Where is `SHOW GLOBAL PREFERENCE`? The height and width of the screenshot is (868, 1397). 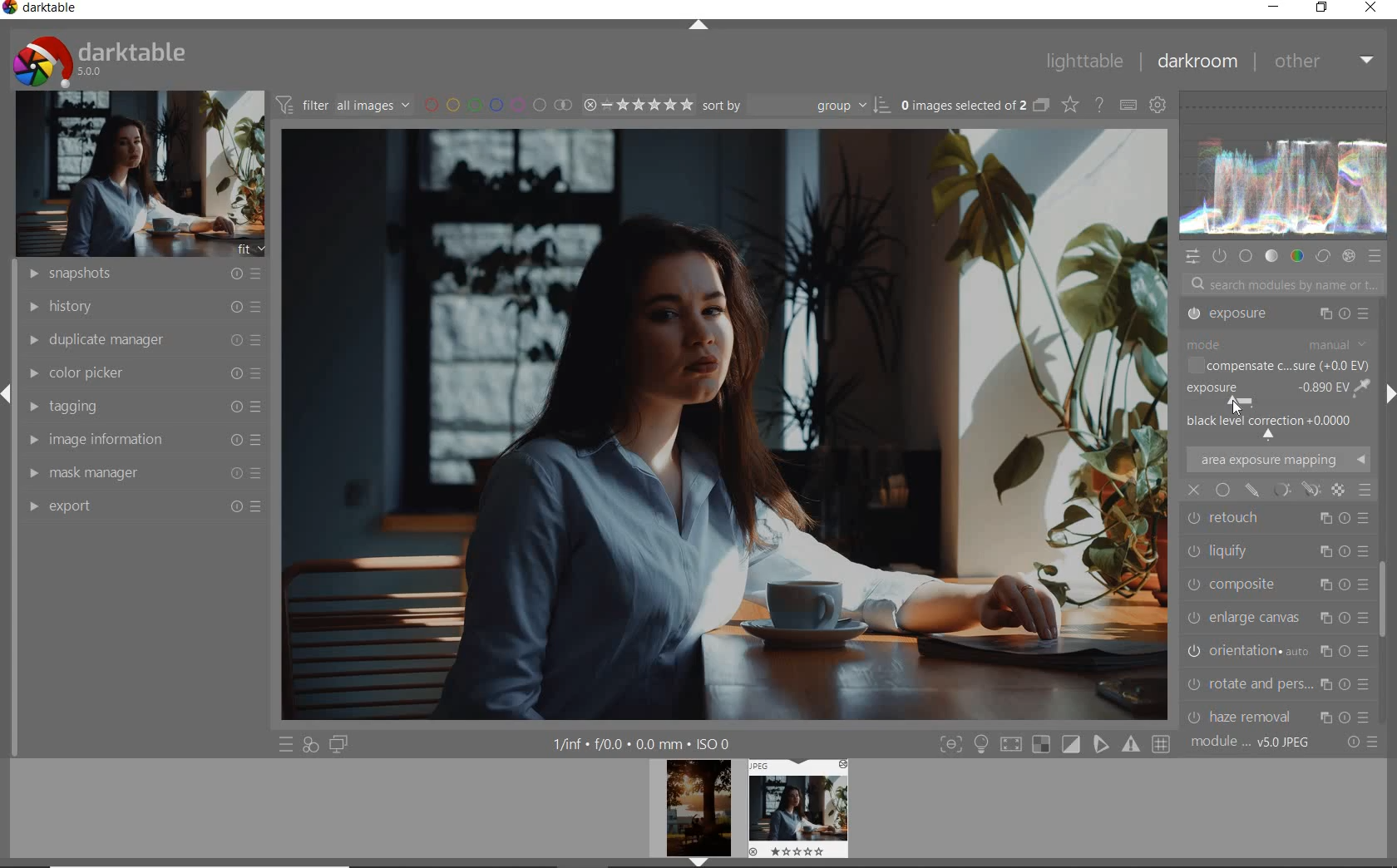
SHOW GLOBAL PREFERENCE is located at coordinates (1159, 105).